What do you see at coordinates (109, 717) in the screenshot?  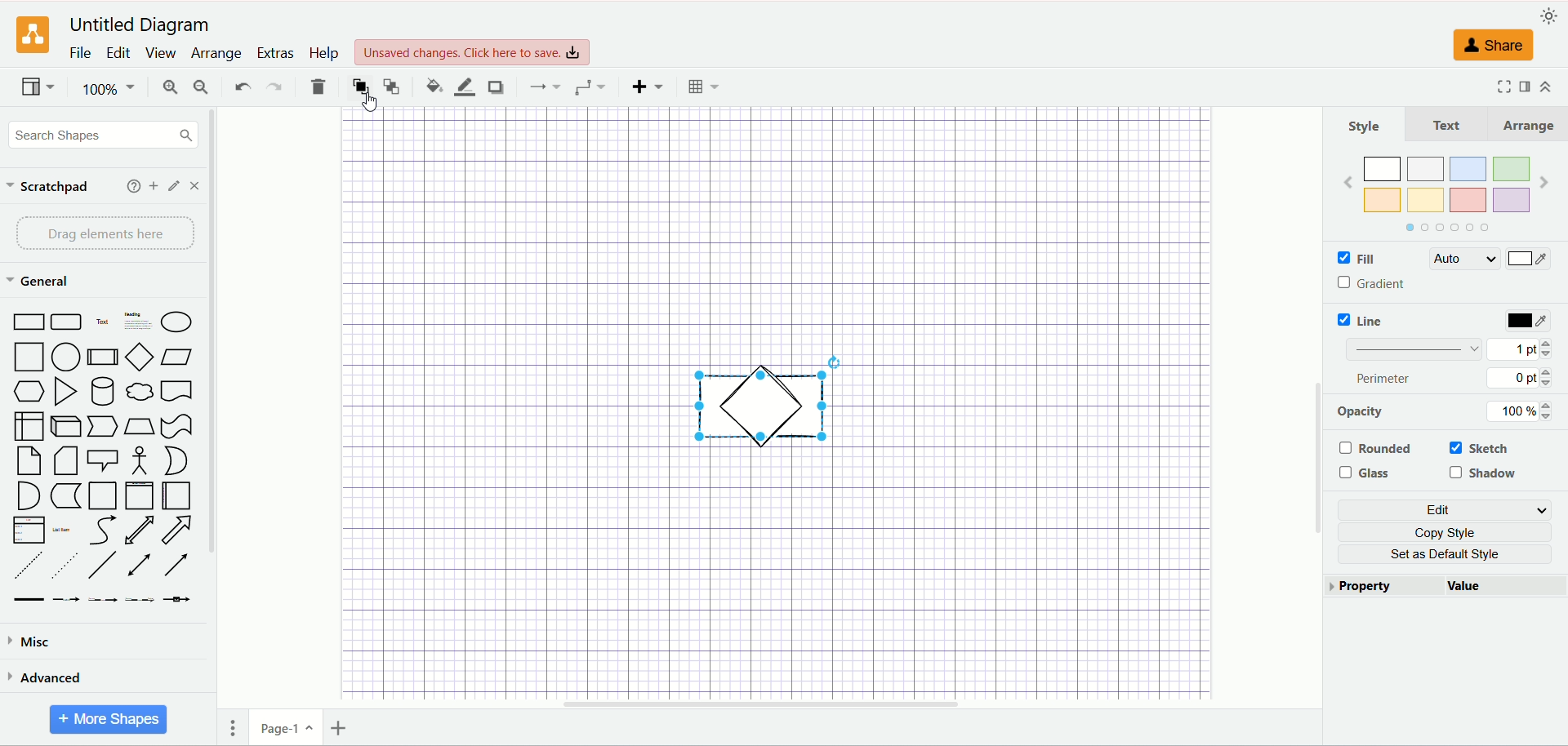 I see `more shapes` at bounding box center [109, 717].